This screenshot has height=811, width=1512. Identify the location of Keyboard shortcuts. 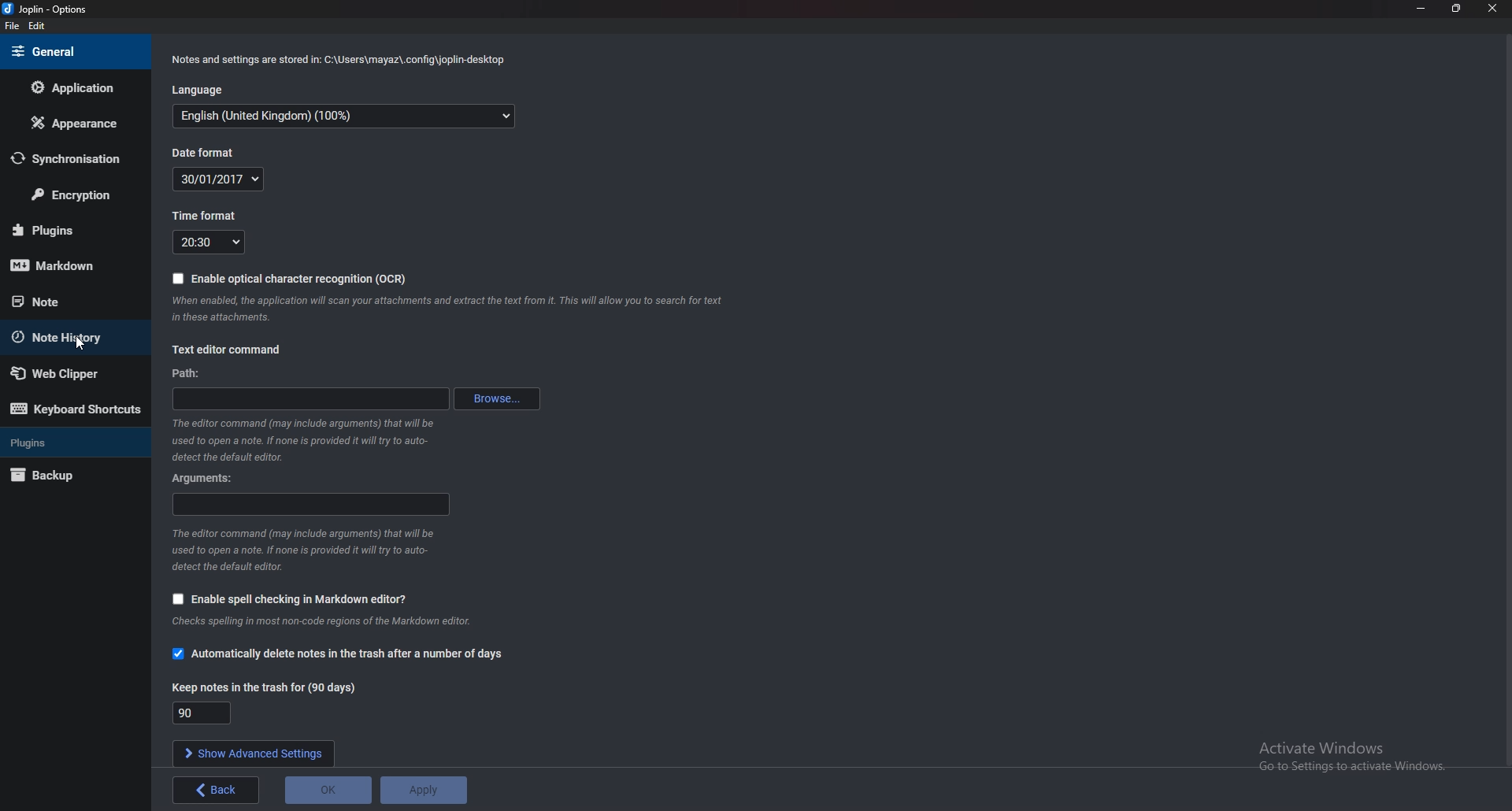
(76, 408).